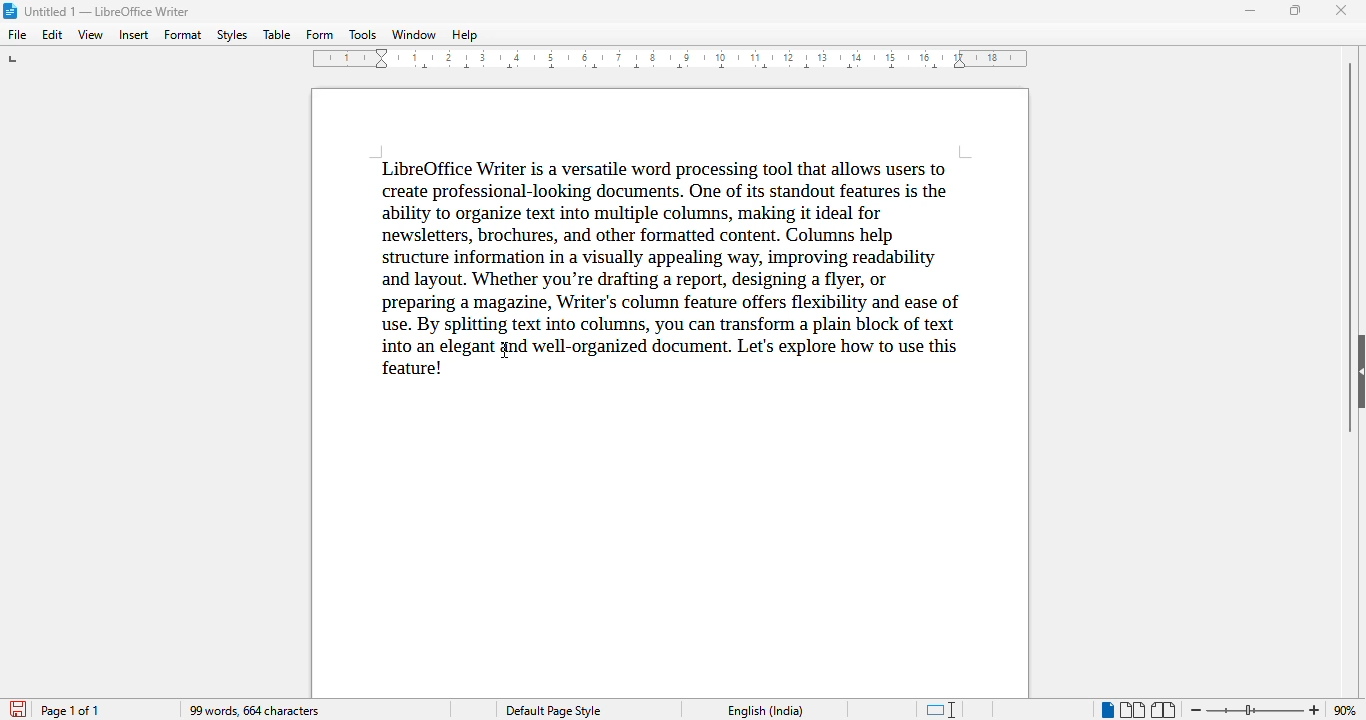 The height and width of the screenshot is (720, 1366). Describe the element at coordinates (1165, 710) in the screenshot. I see `book view` at that location.